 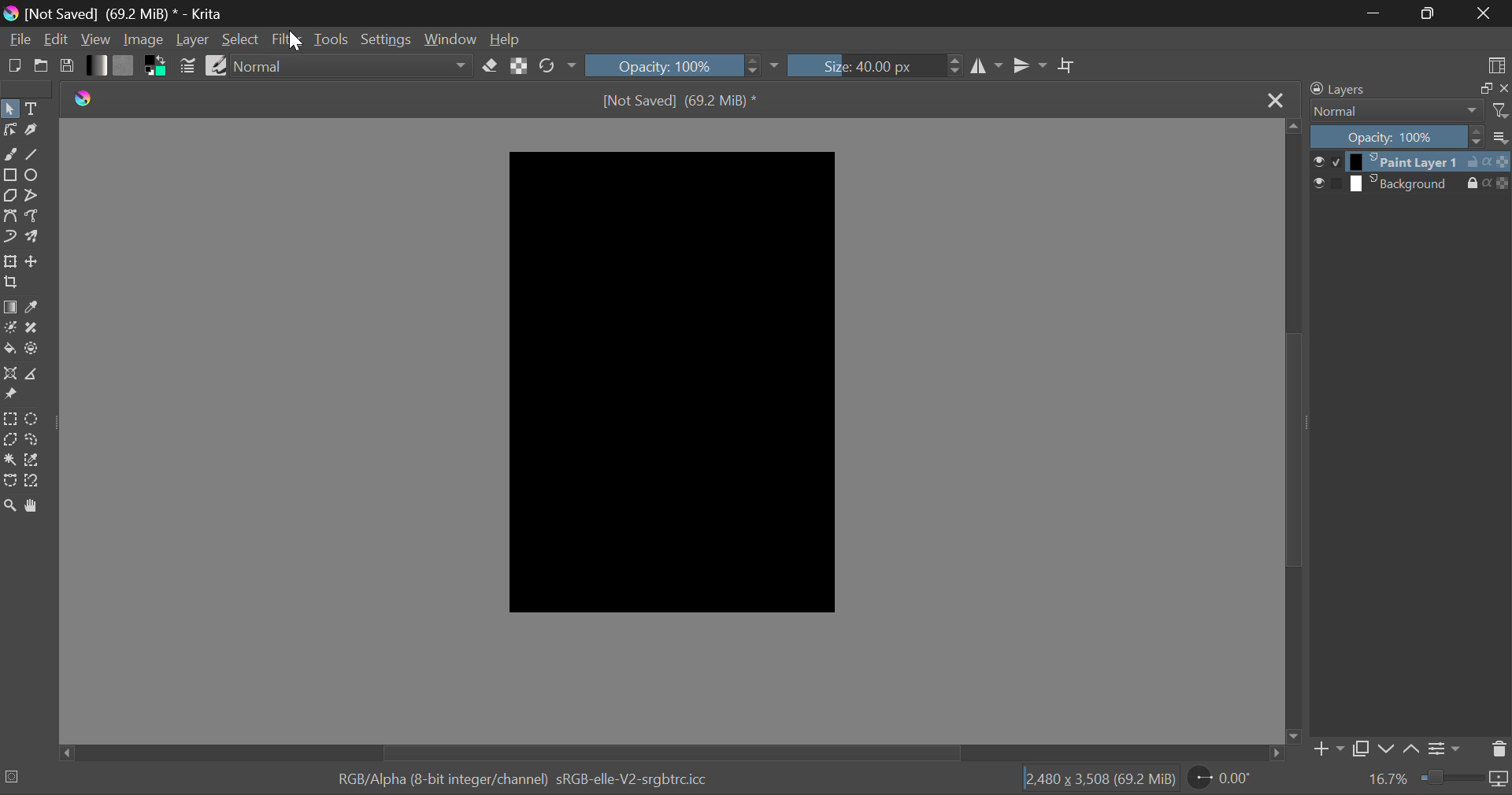 I want to click on Cursor, so click(x=293, y=39).